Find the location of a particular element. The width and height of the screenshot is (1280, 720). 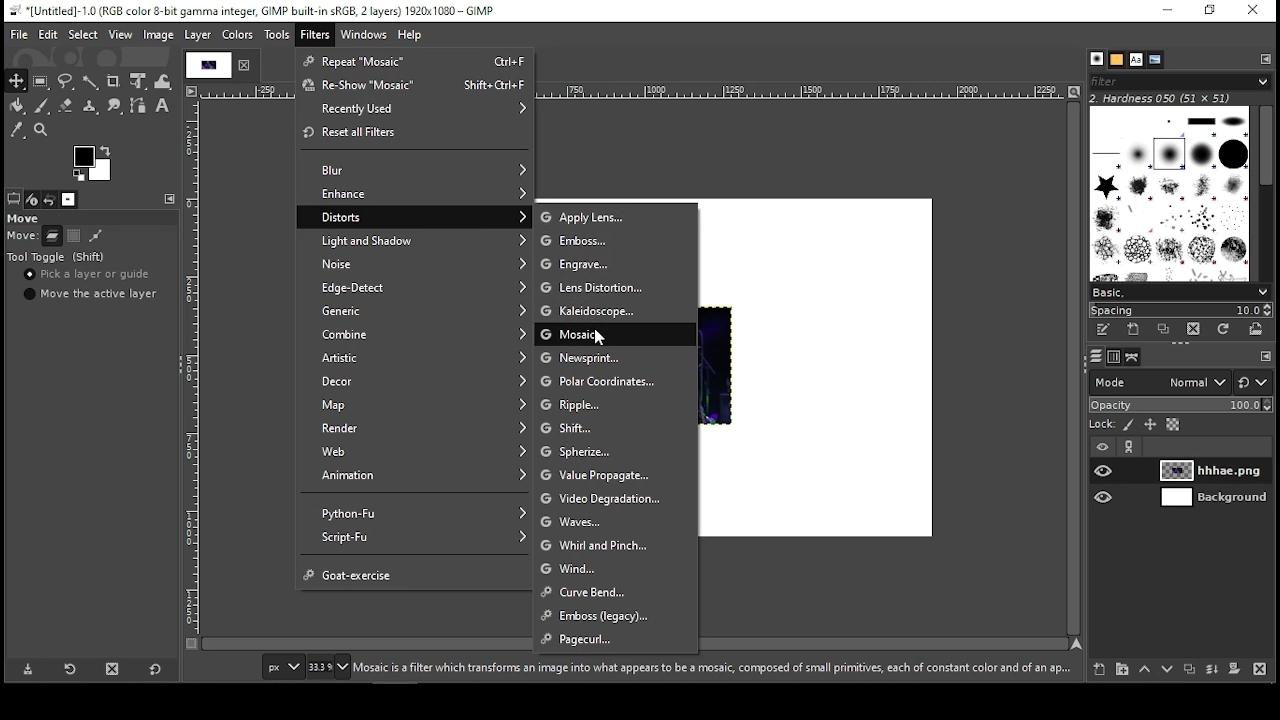

decor is located at coordinates (418, 380).